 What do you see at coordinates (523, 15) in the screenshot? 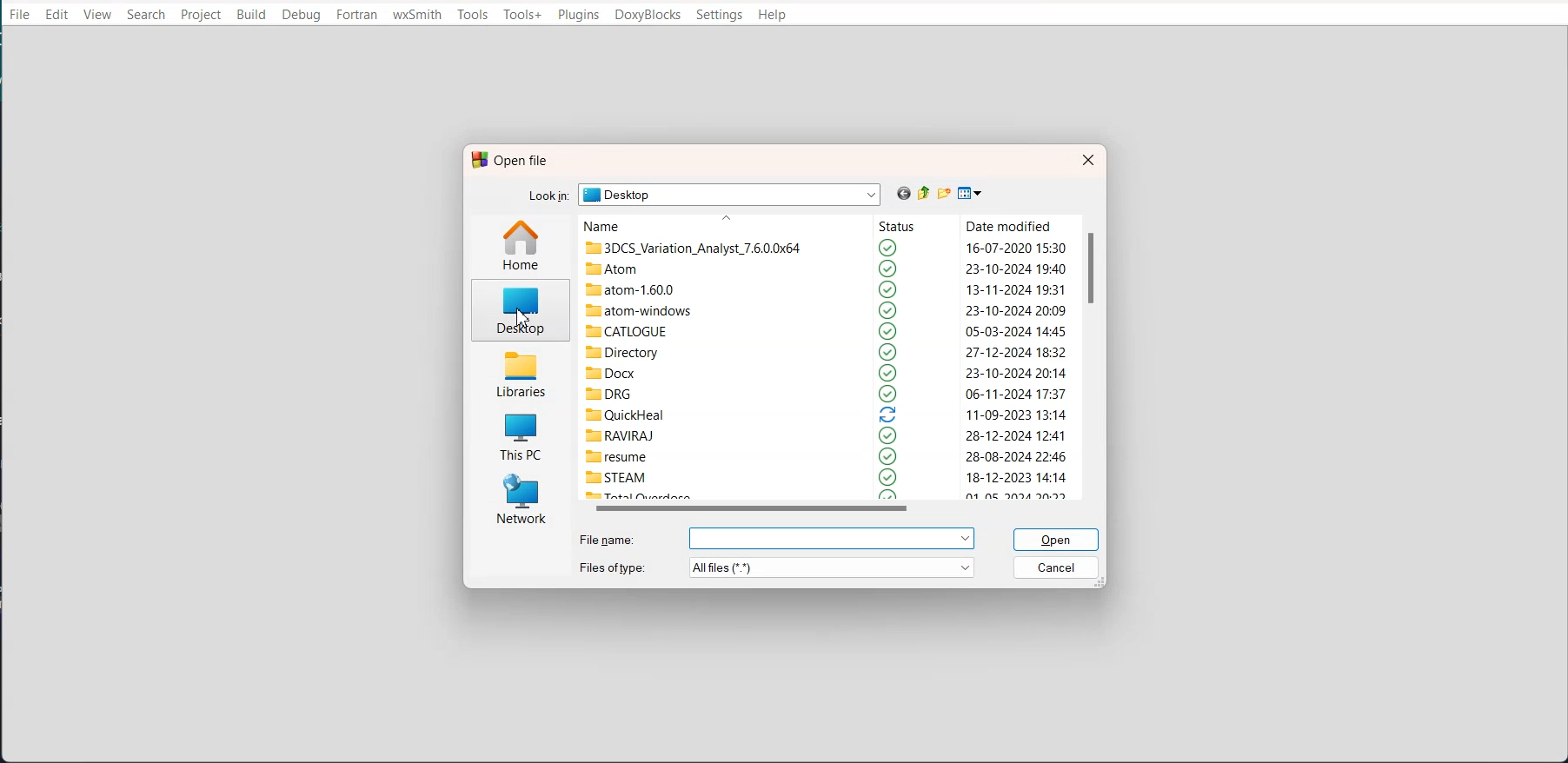
I see `Tools+` at bounding box center [523, 15].